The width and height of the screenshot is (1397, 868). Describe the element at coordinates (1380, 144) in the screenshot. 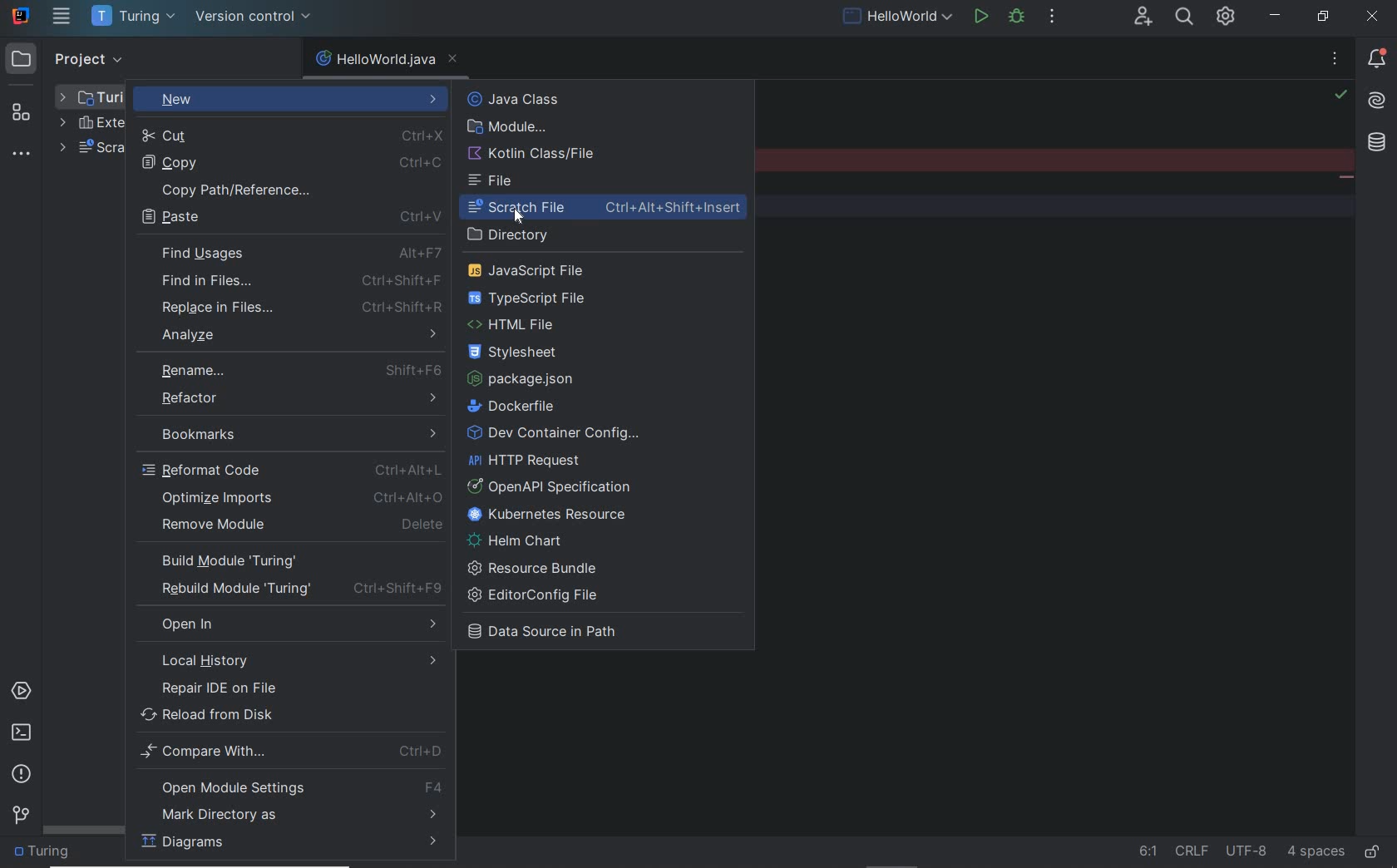

I see `database` at that location.